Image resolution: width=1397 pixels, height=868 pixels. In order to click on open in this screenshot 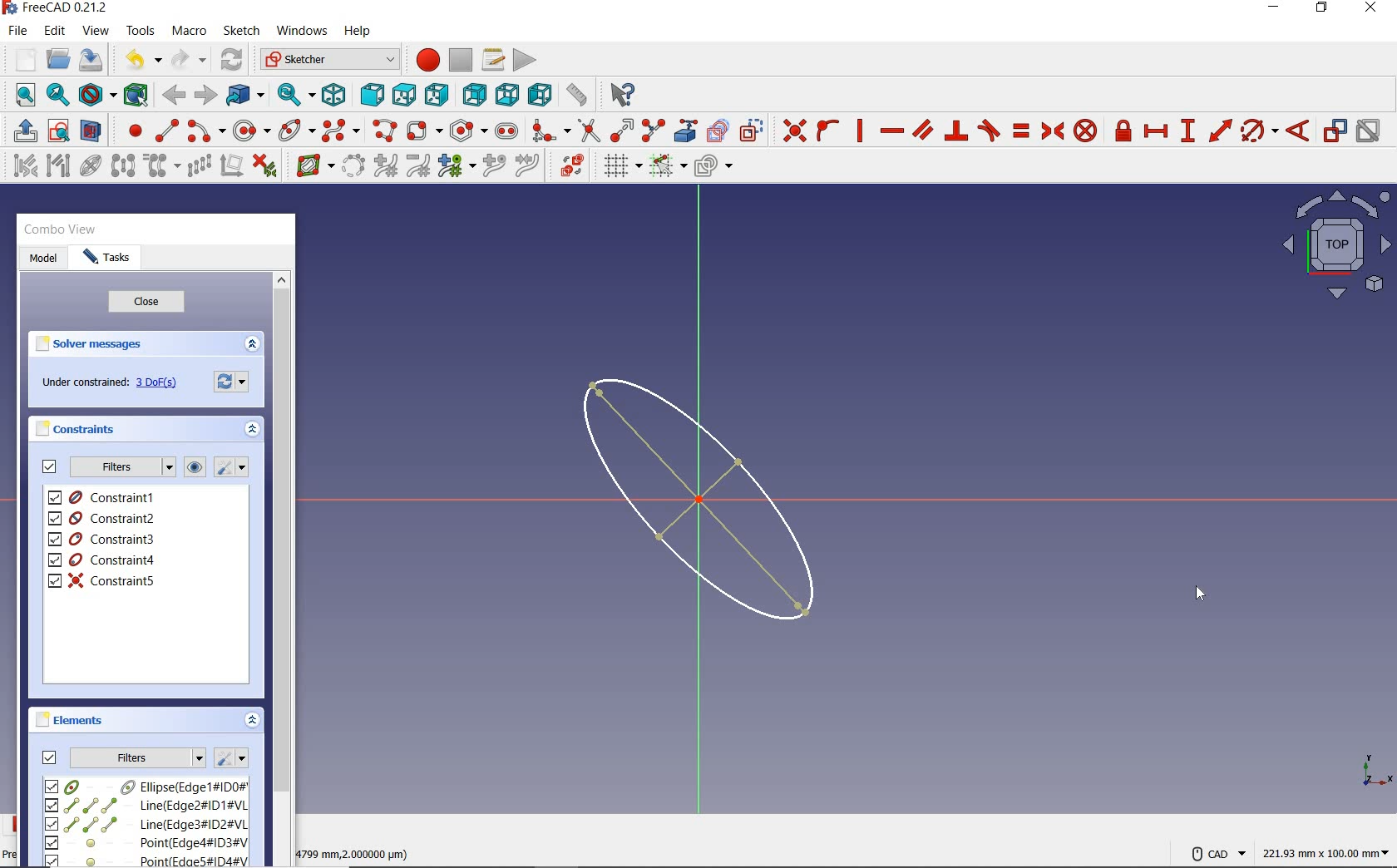, I will do `click(58, 60)`.